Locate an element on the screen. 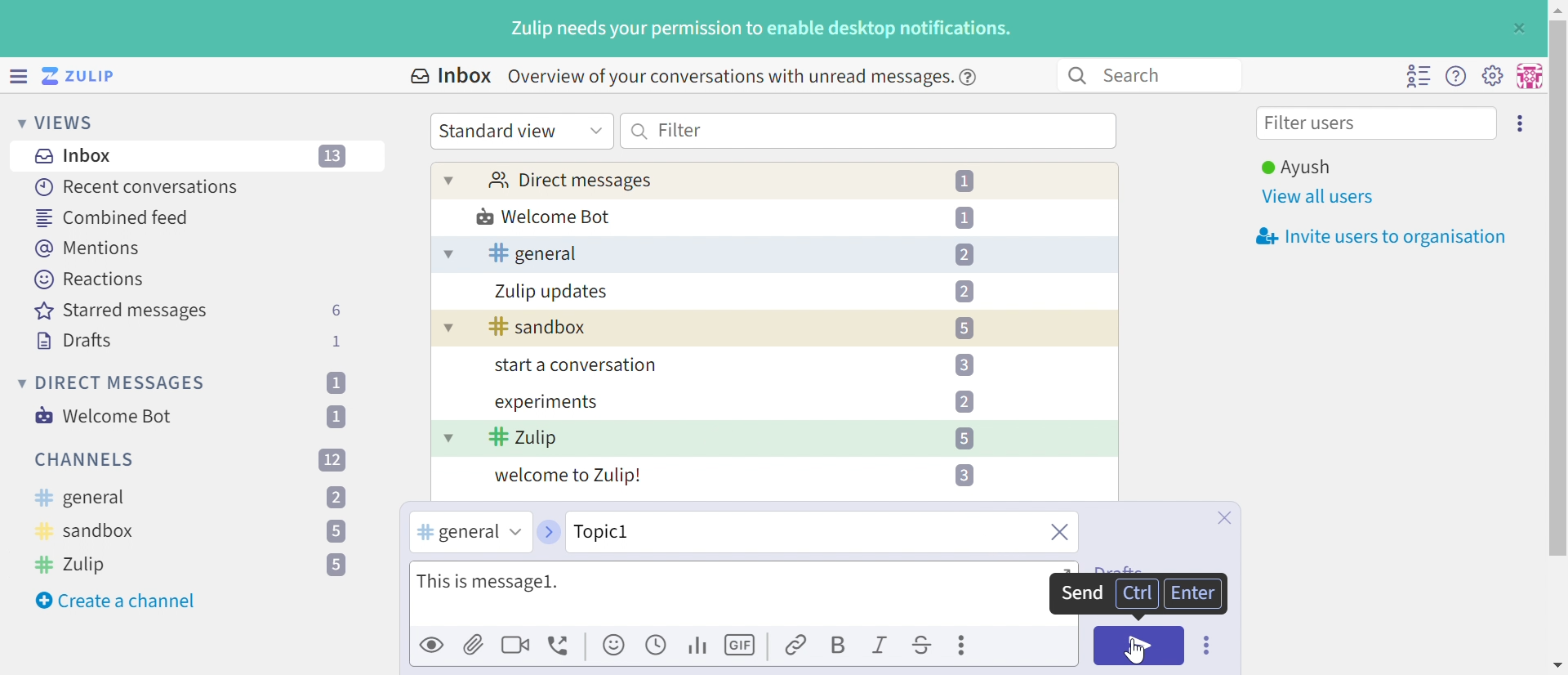  welcome to Zulip! is located at coordinates (569, 477).